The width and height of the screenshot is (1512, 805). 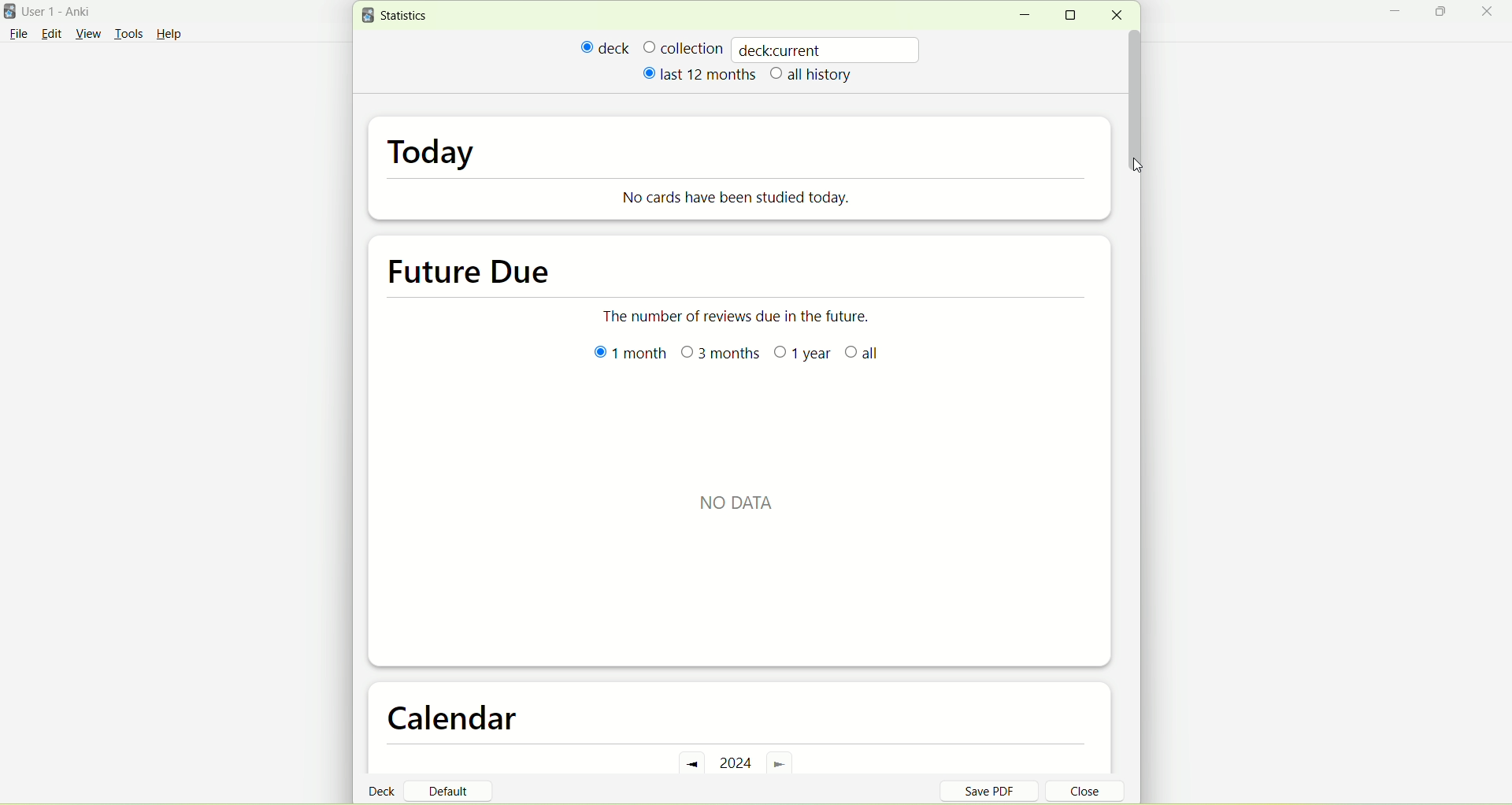 I want to click on edit, so click(x=51, y=33).